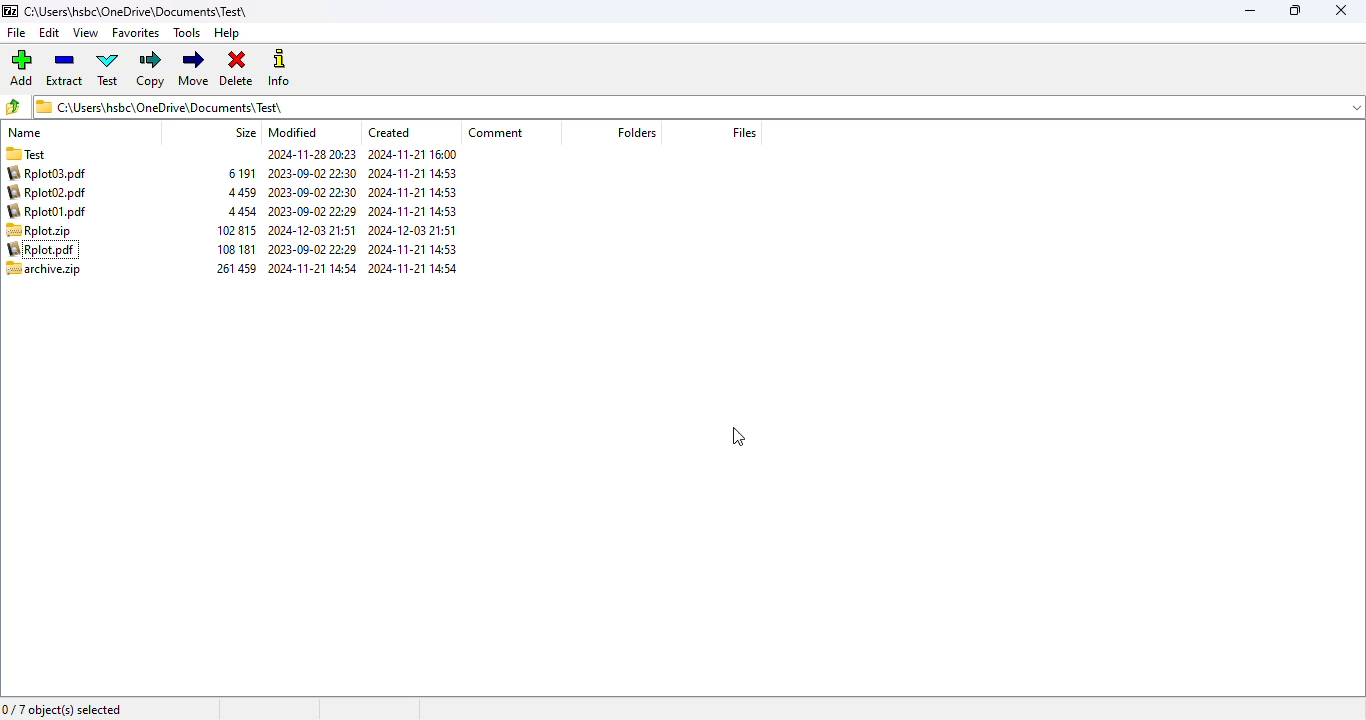 The width and height of the screenshot is (1366, 720). I want to click on add, so click(21, 67).